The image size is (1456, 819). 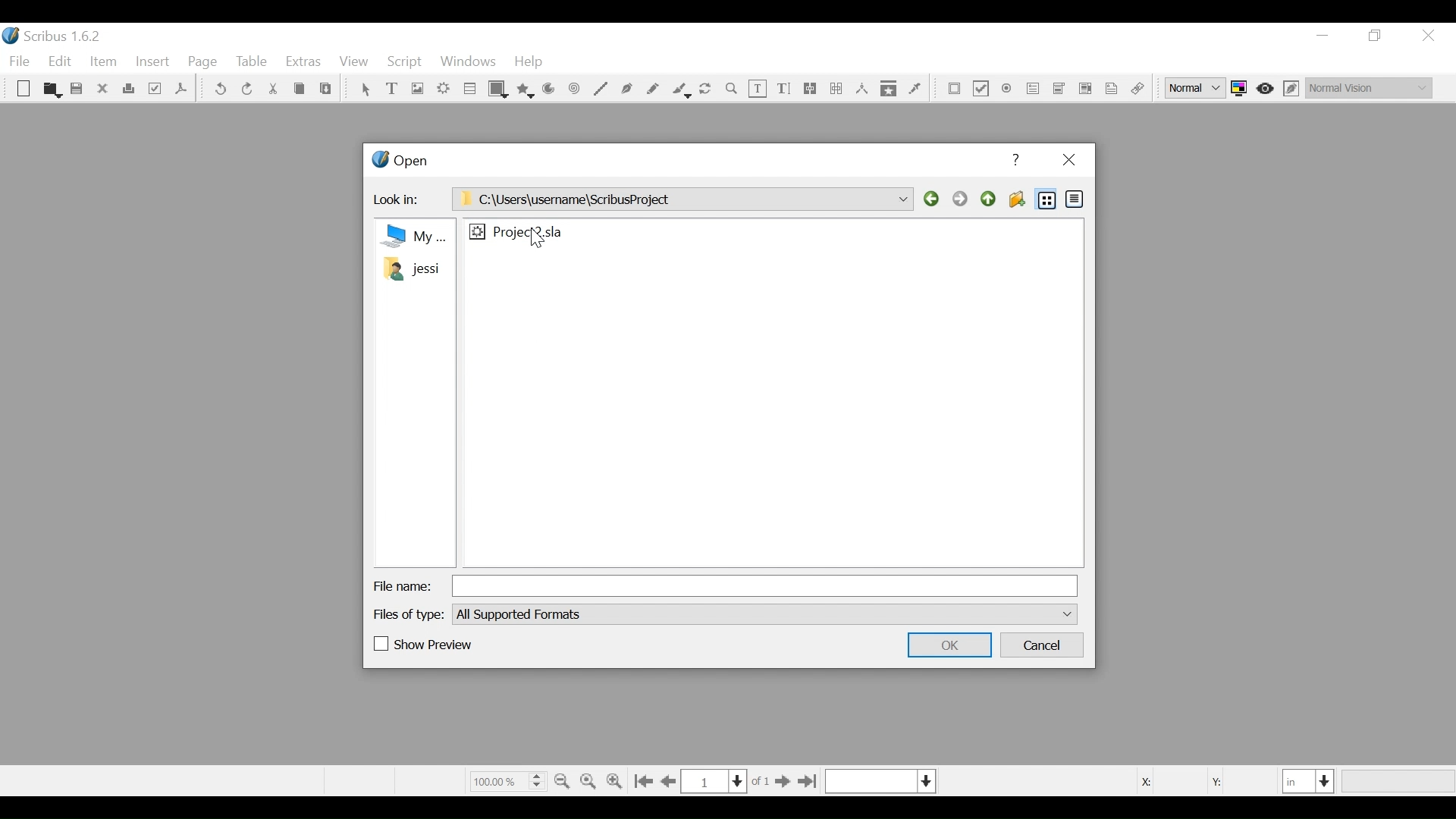 What do you see at coordinates (758, 89) in the screenshot?
I see `Edit Text Content` at bounding box center [758, 89].